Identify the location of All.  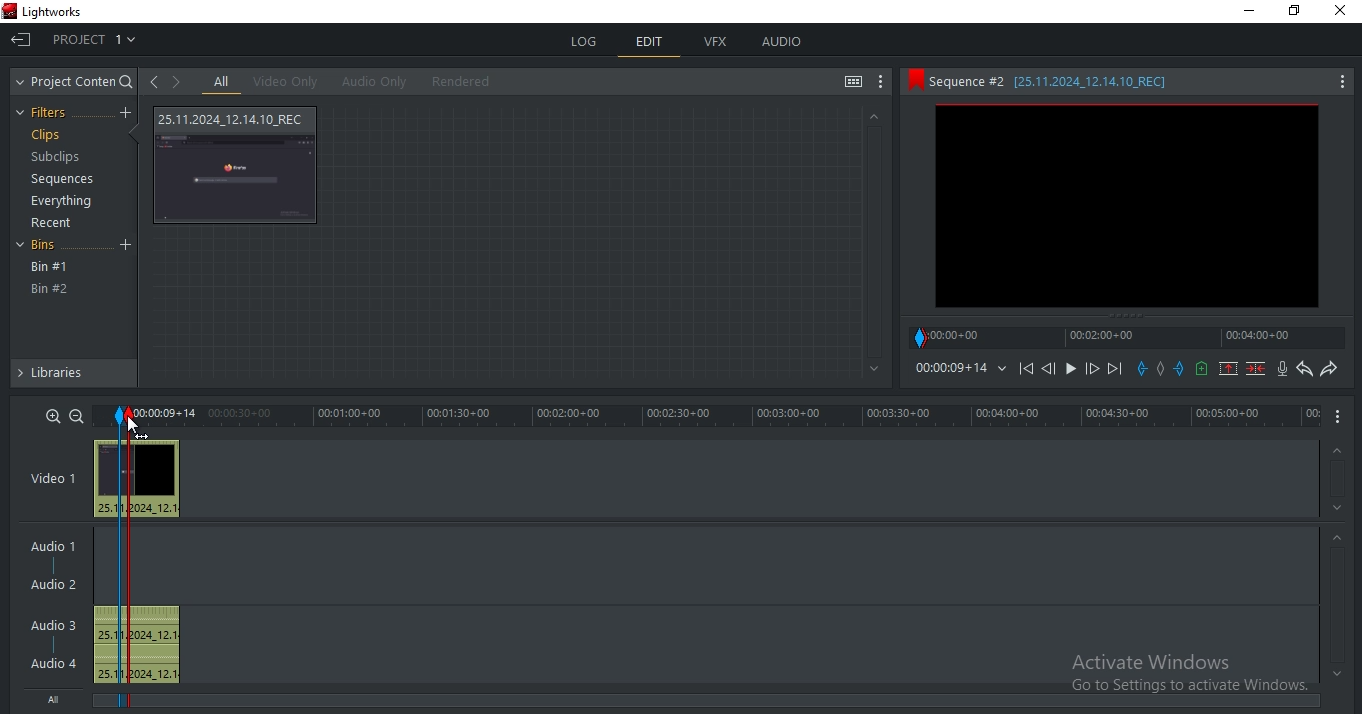
(59, 701).